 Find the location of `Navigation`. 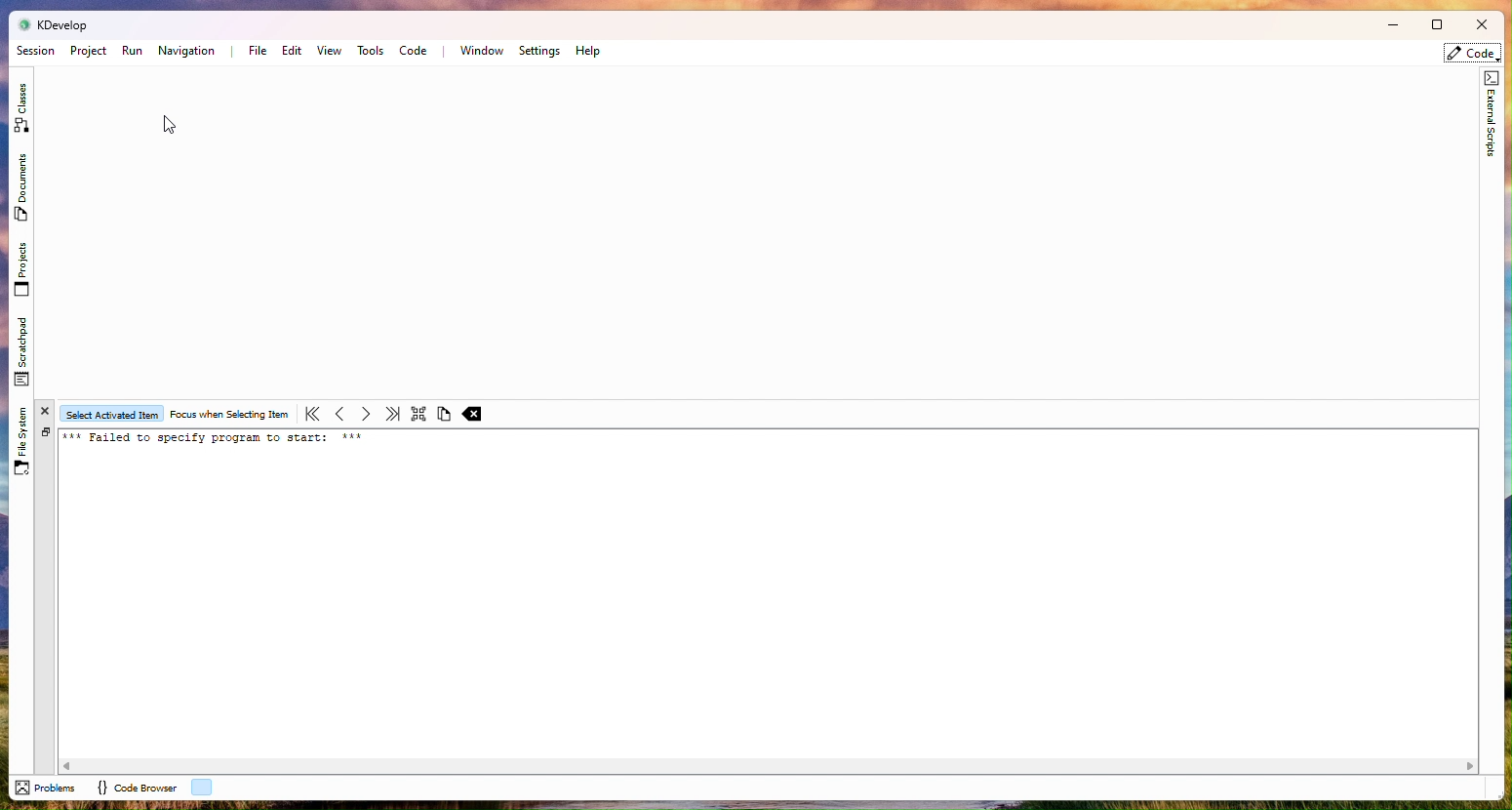

Navigation is located at coordinates (188, 52).